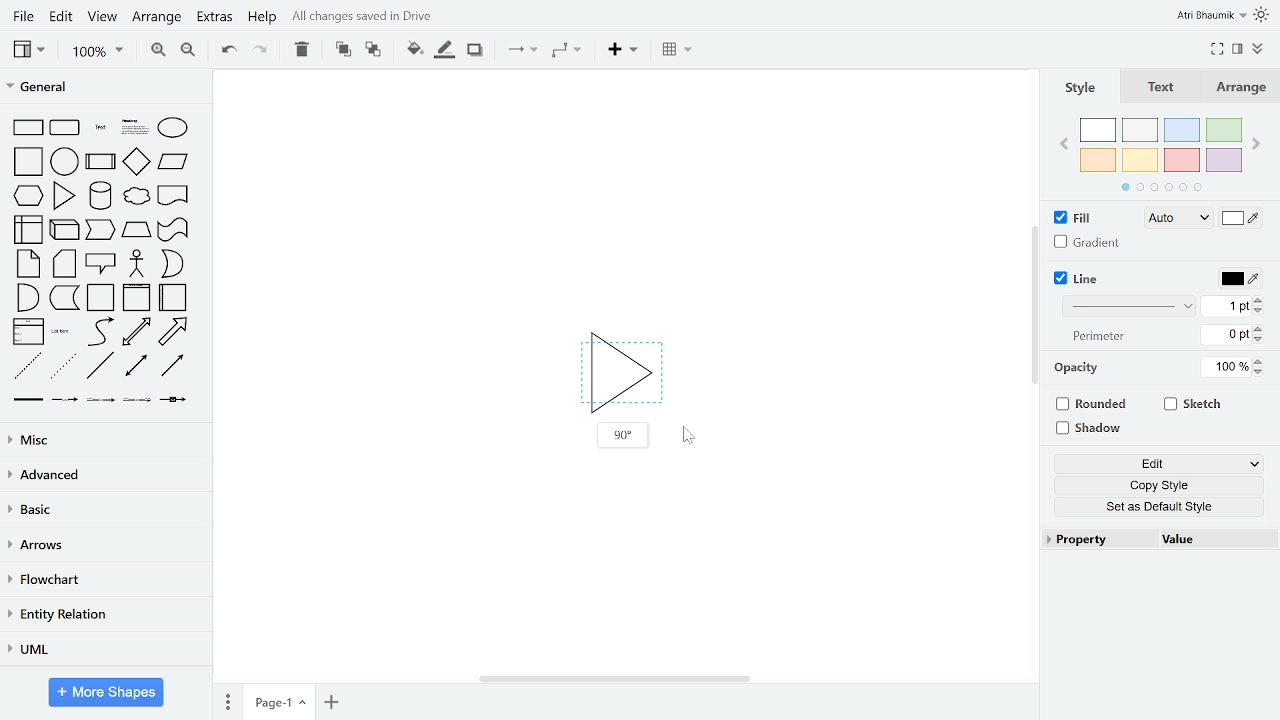 Image resolution: width=1280 pixels, height=720 pixels. What do you see at coordinates (1226, 129) in the screenshot?
I see `green` at bounding box center [1226, 129].